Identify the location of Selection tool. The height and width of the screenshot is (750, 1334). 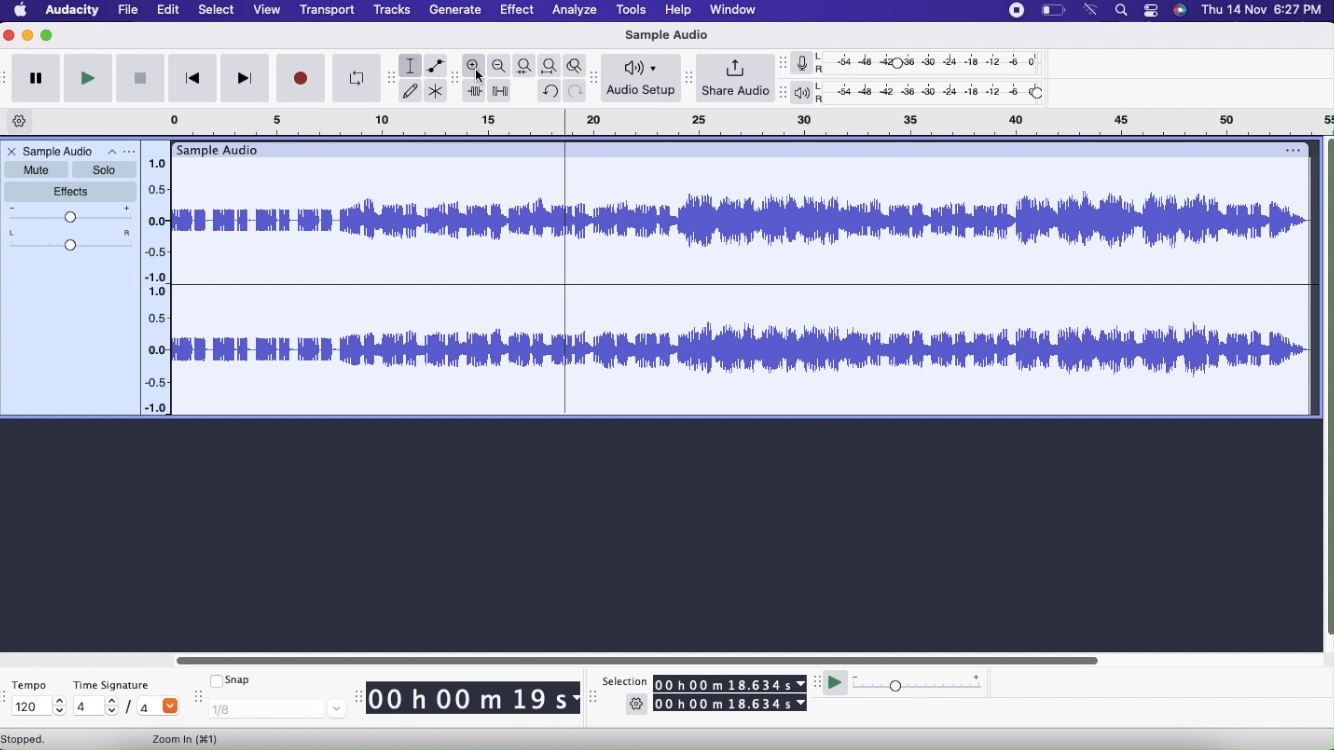
(411, 65).